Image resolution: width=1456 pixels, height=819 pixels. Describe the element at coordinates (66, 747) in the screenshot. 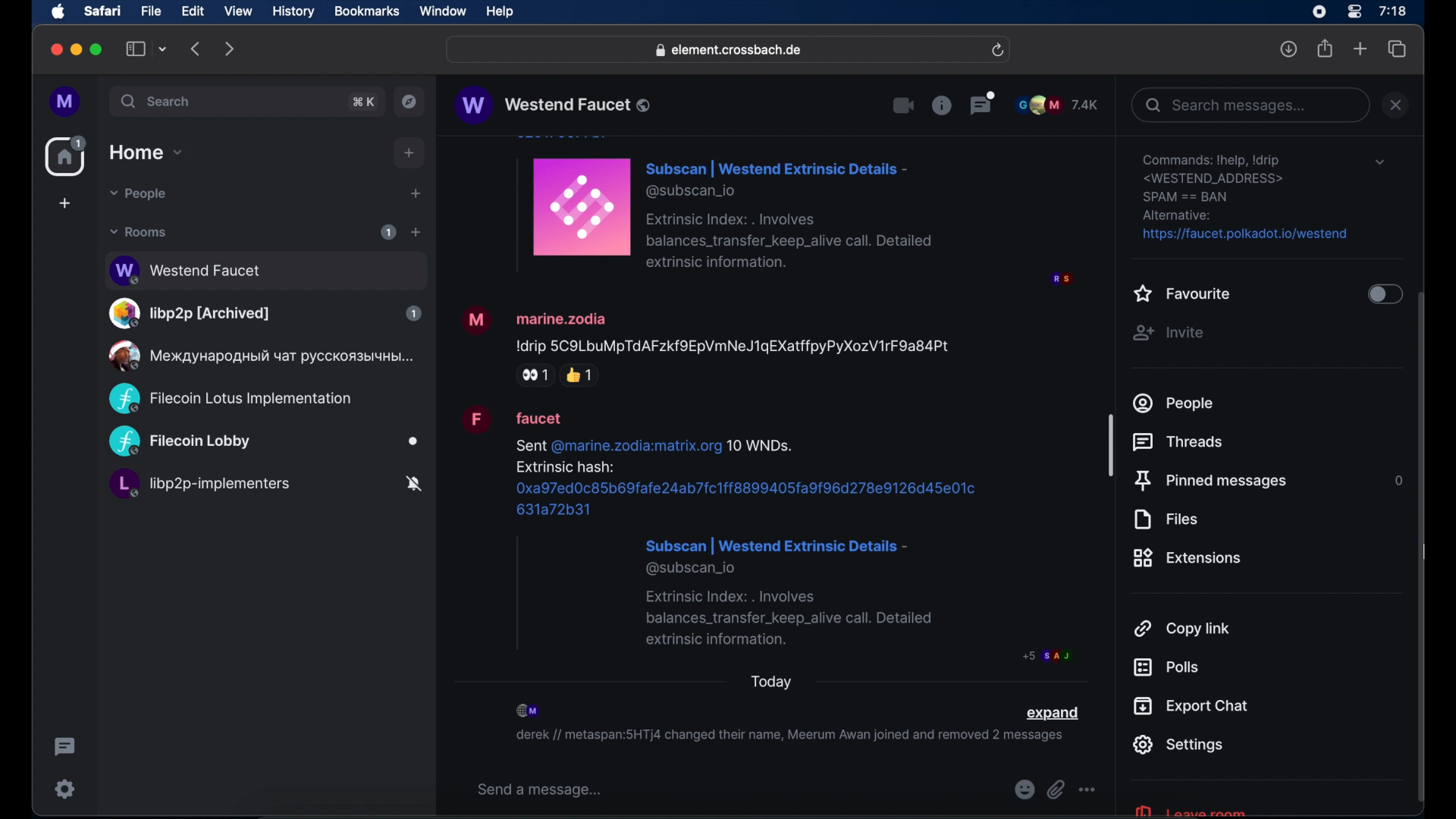

I see `thread activity` at that location.